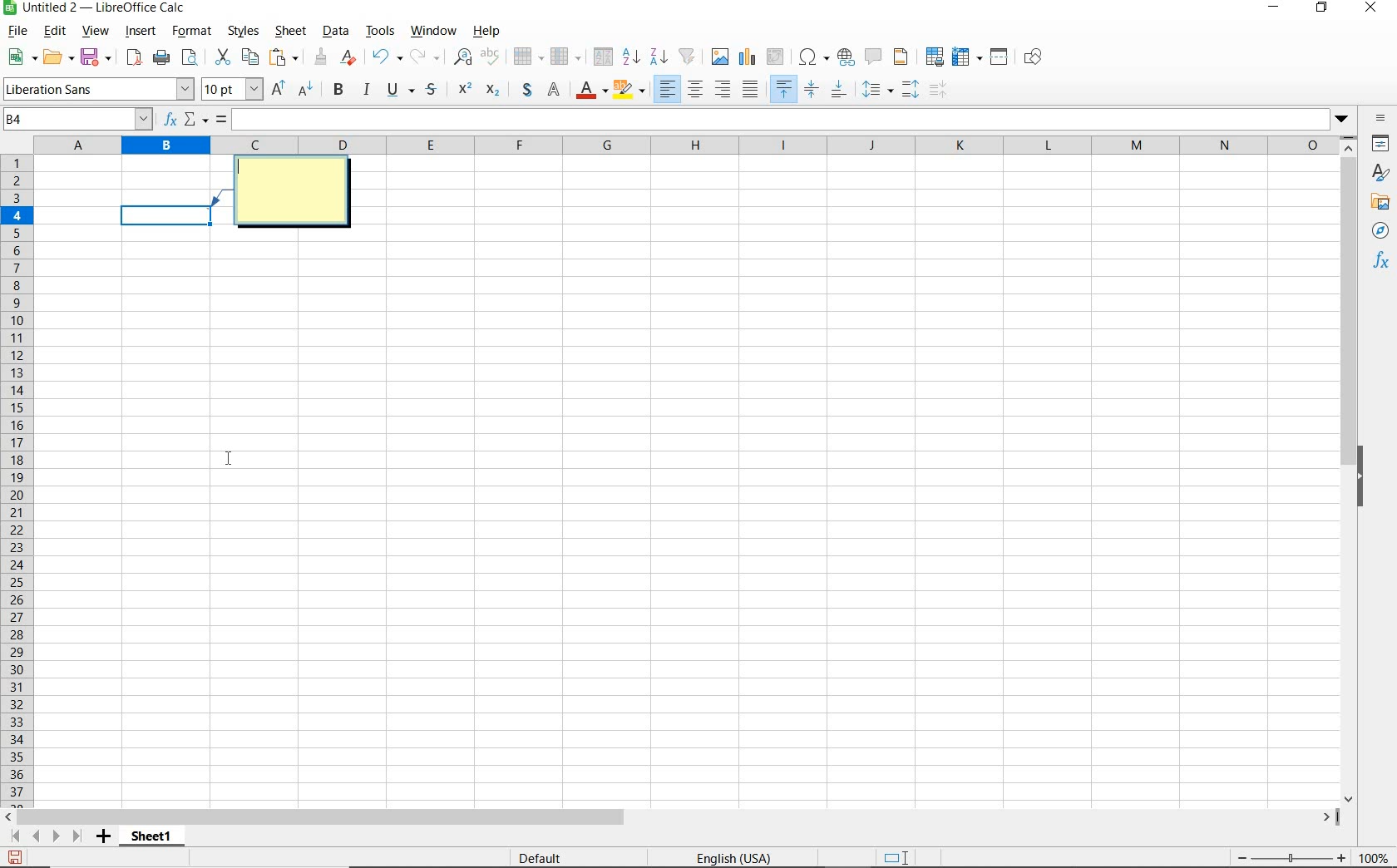 This screenshot has height=868, width=1397. What do you see at coordinates (284, 58) in the screenshot?
I see `paste` at bounding box center [284, 58].